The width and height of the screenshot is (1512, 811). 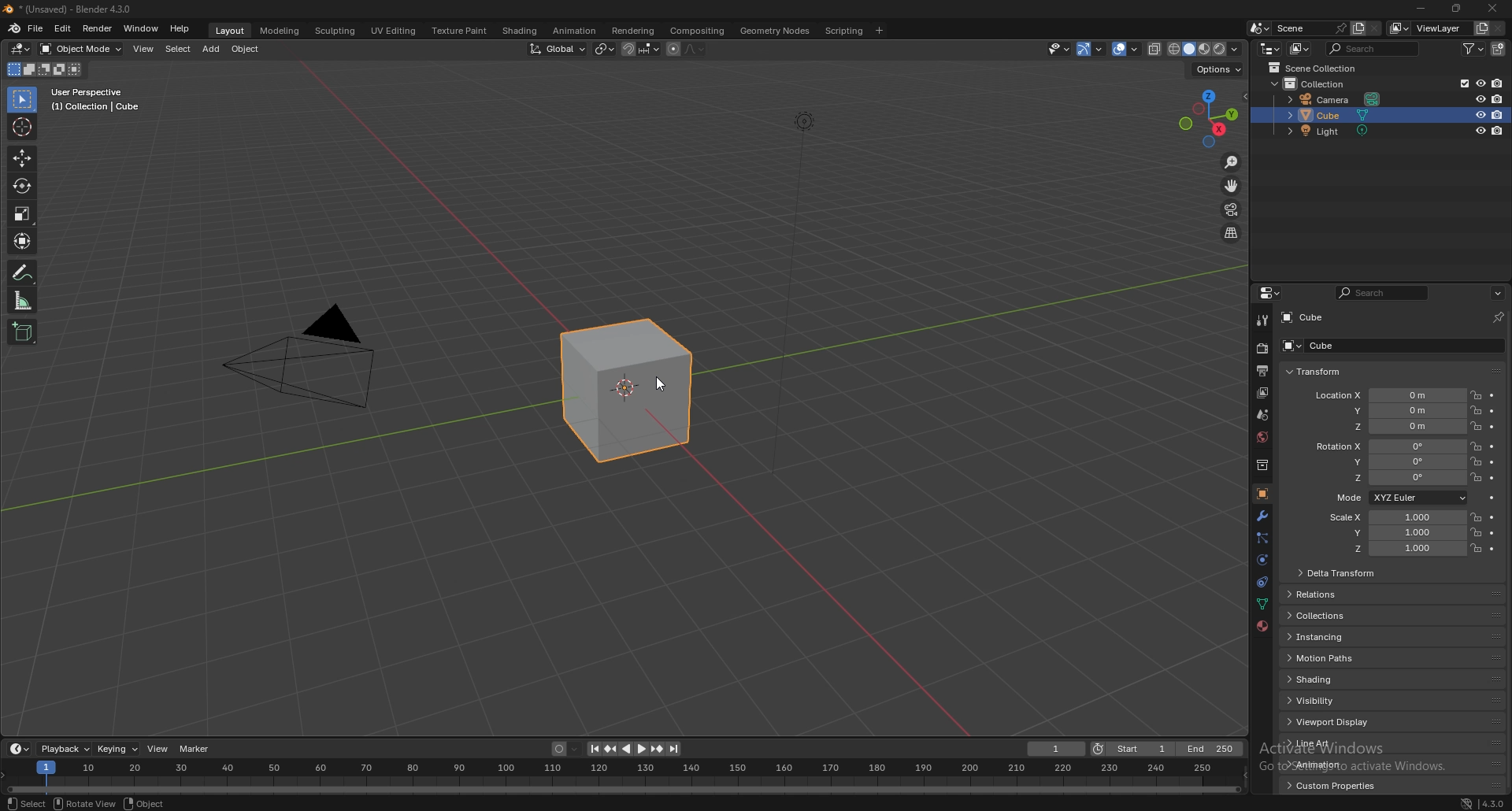 I want to click on object, so click(x=246, y=49).